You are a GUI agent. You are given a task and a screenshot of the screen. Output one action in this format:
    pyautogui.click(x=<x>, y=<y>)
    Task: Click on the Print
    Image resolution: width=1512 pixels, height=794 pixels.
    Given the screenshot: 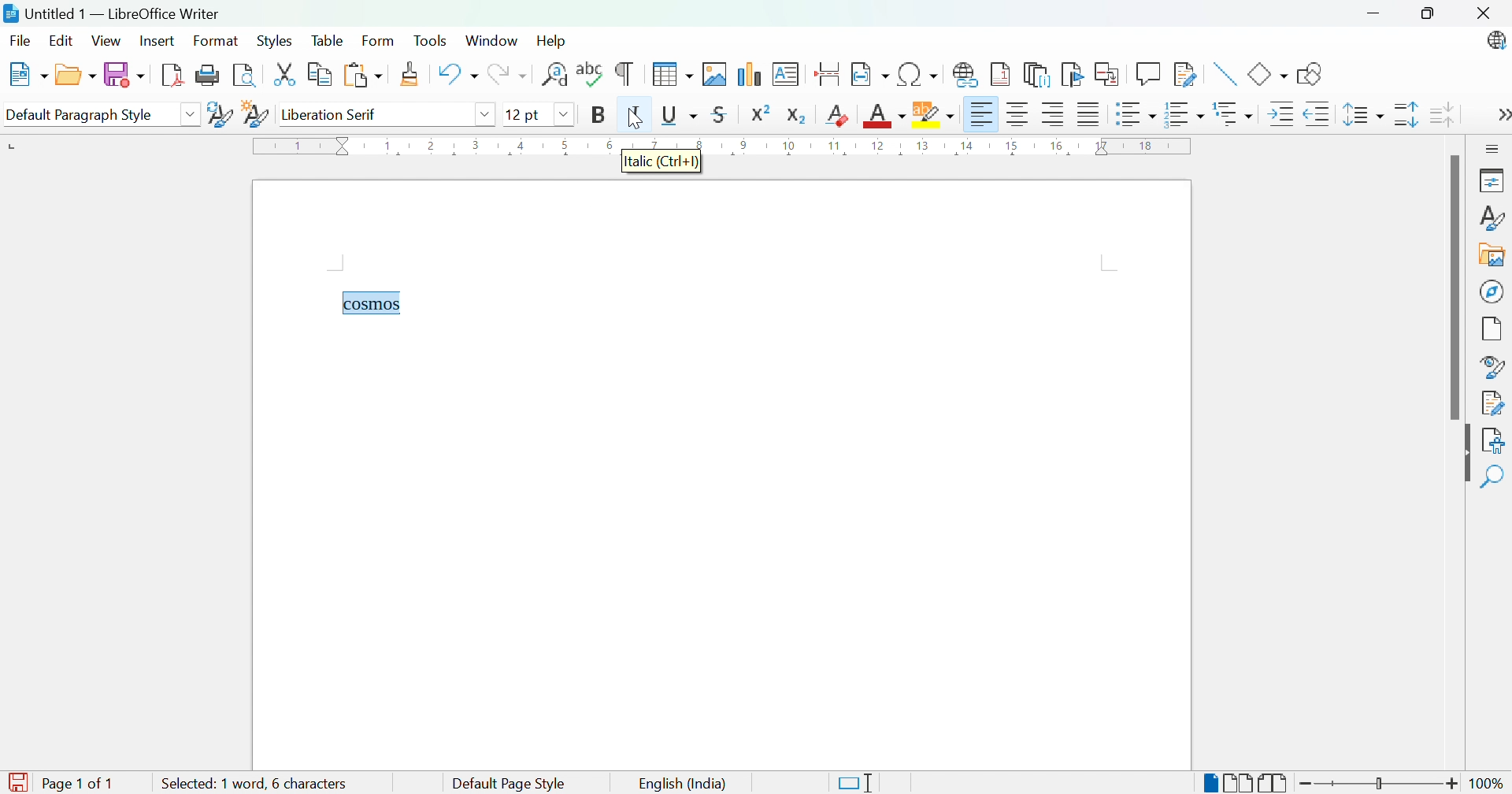 What is the action you would take?
    pyautogui.click(x=207, y=74)
    